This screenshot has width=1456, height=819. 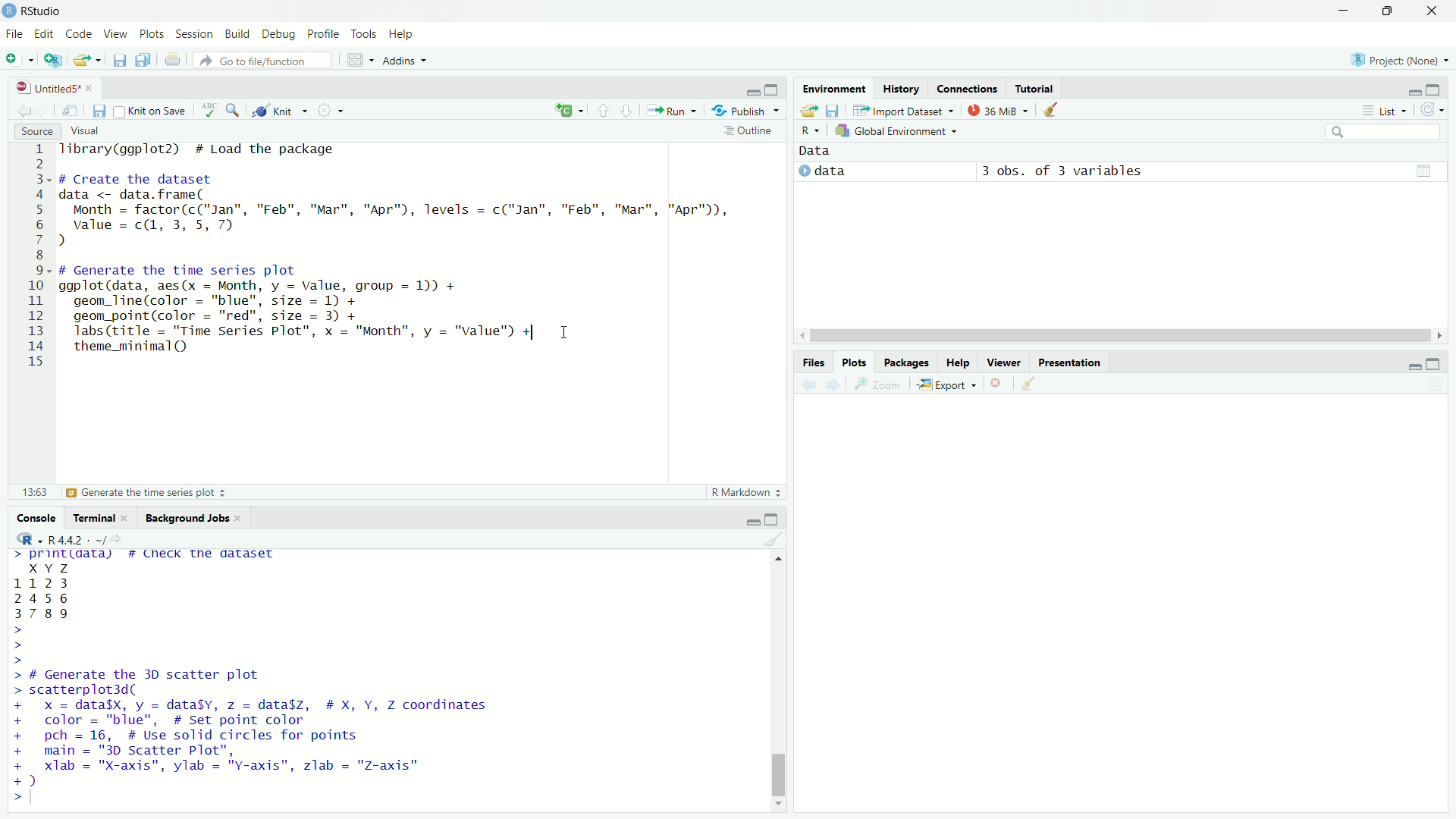 What do you see at coordinates (946, 384) in the screenshot?
I see `export` at bounding box center [946, 384].